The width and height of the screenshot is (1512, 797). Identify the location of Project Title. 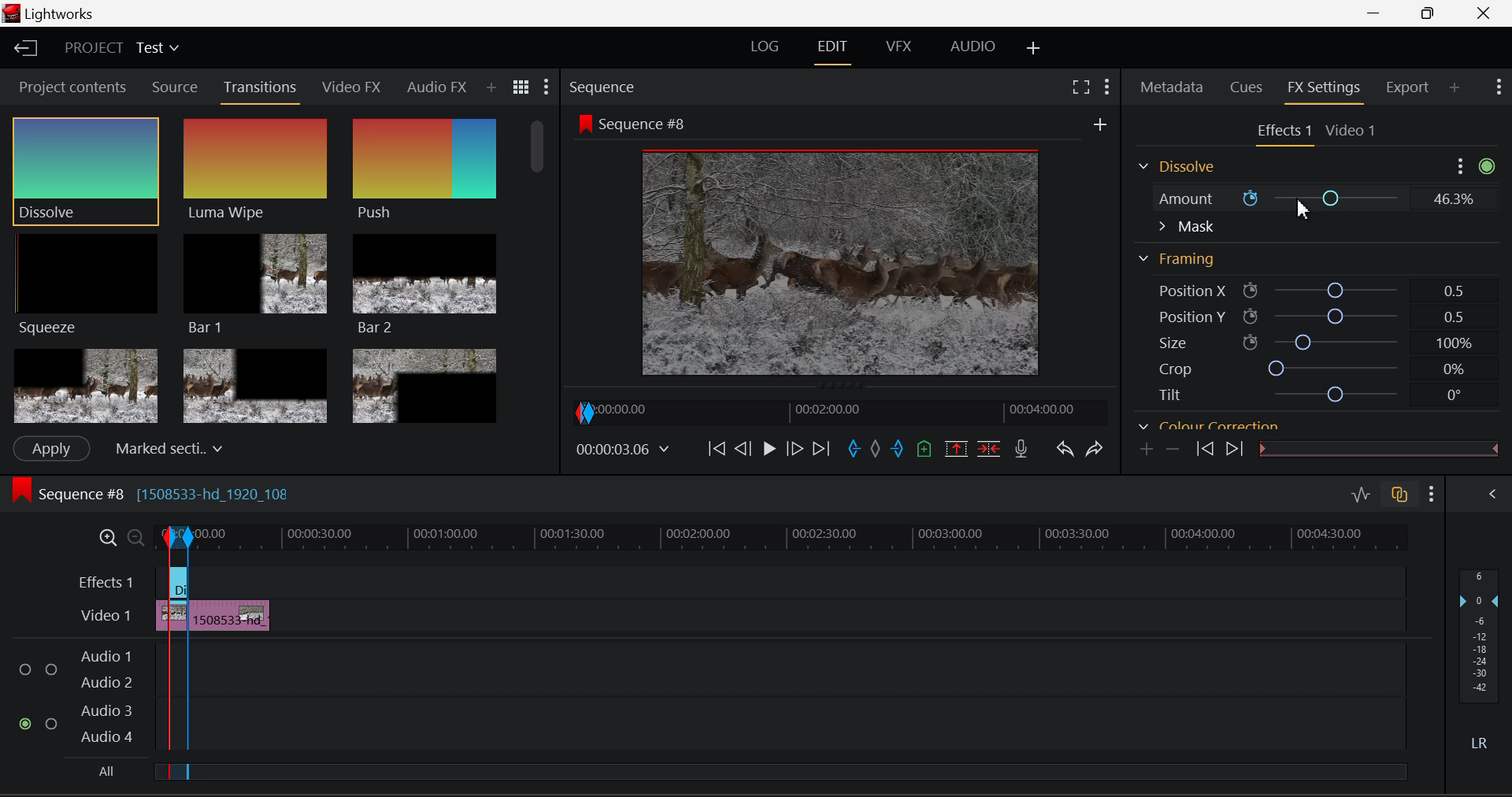
(120, 46).